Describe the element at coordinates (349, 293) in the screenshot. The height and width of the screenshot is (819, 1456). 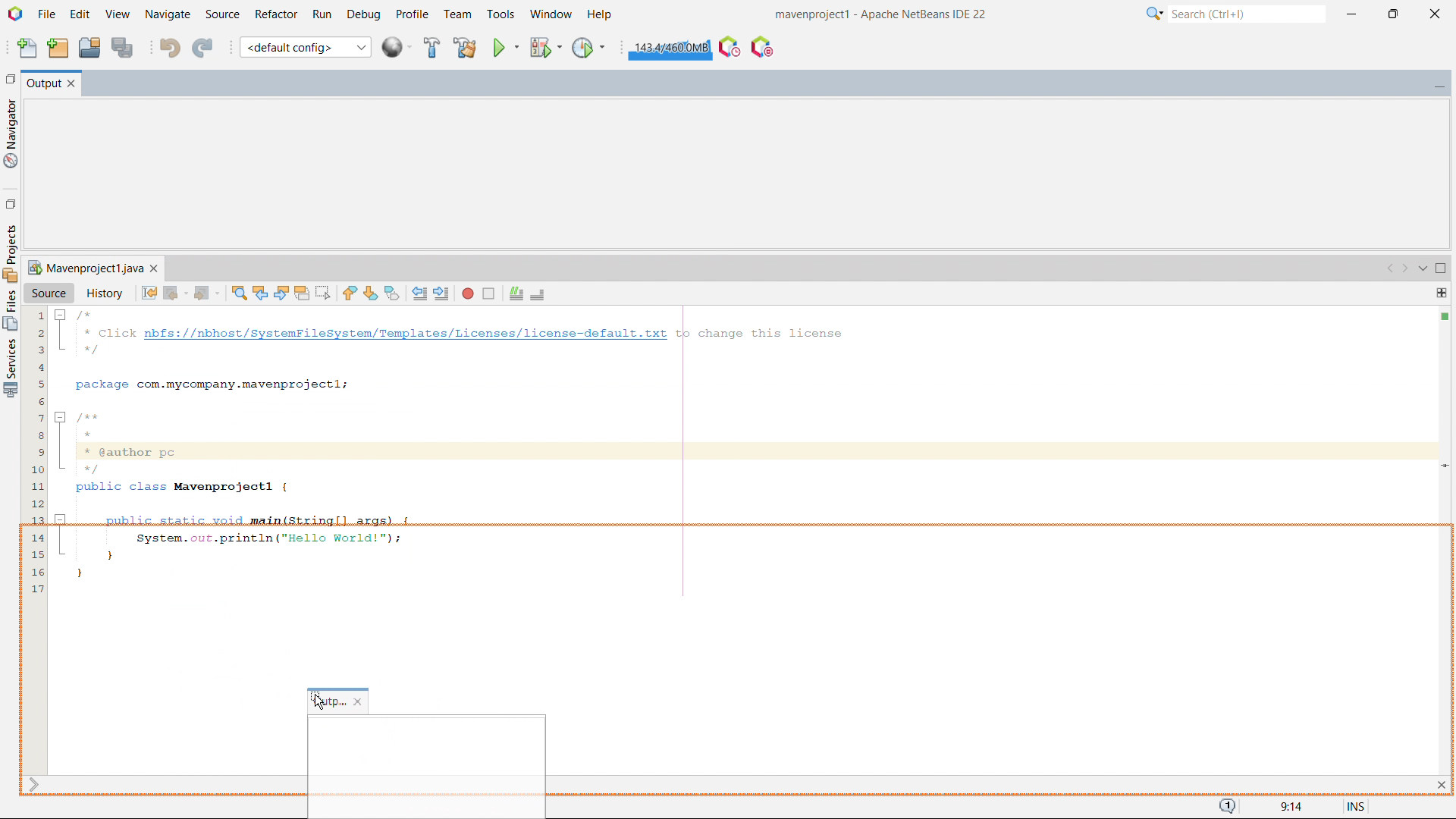
I see `previous bookmark` at that location.